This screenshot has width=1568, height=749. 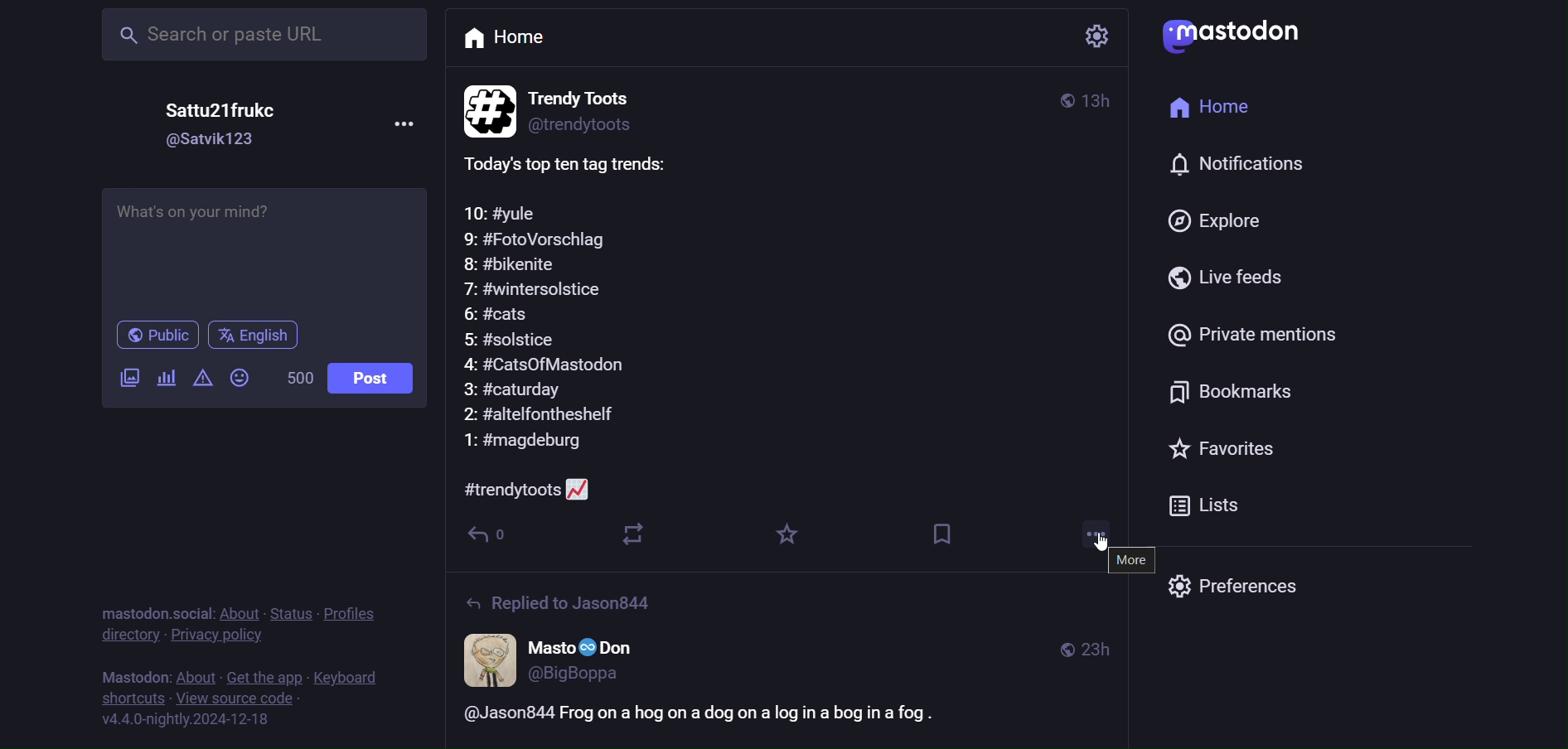 What do you see at coordinates (546, 42) in the screenshot?
I see `home` at bounding box center [546, 42].